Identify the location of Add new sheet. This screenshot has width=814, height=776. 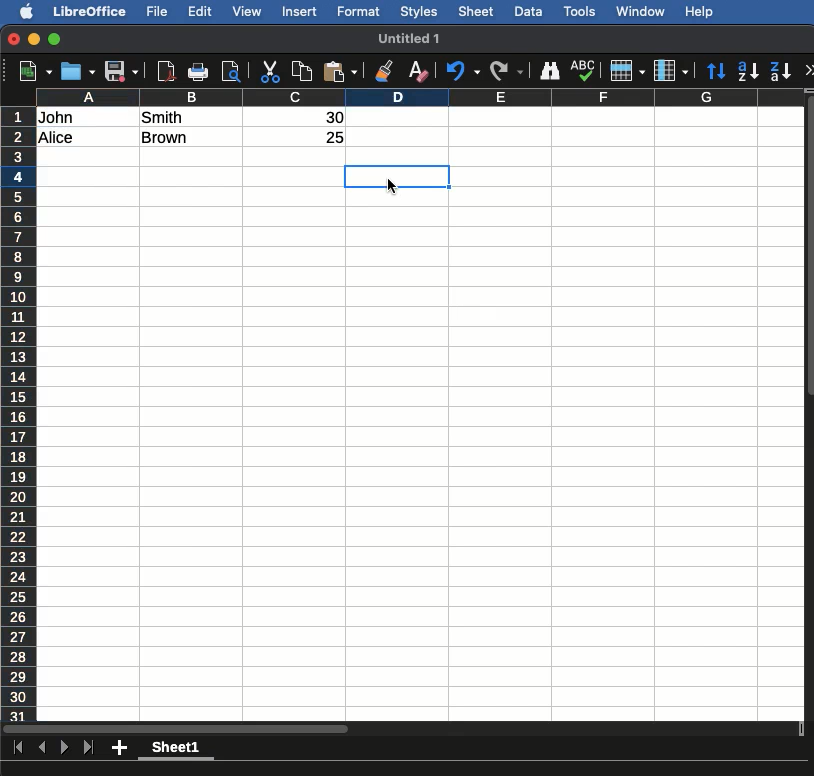
(118, 748).